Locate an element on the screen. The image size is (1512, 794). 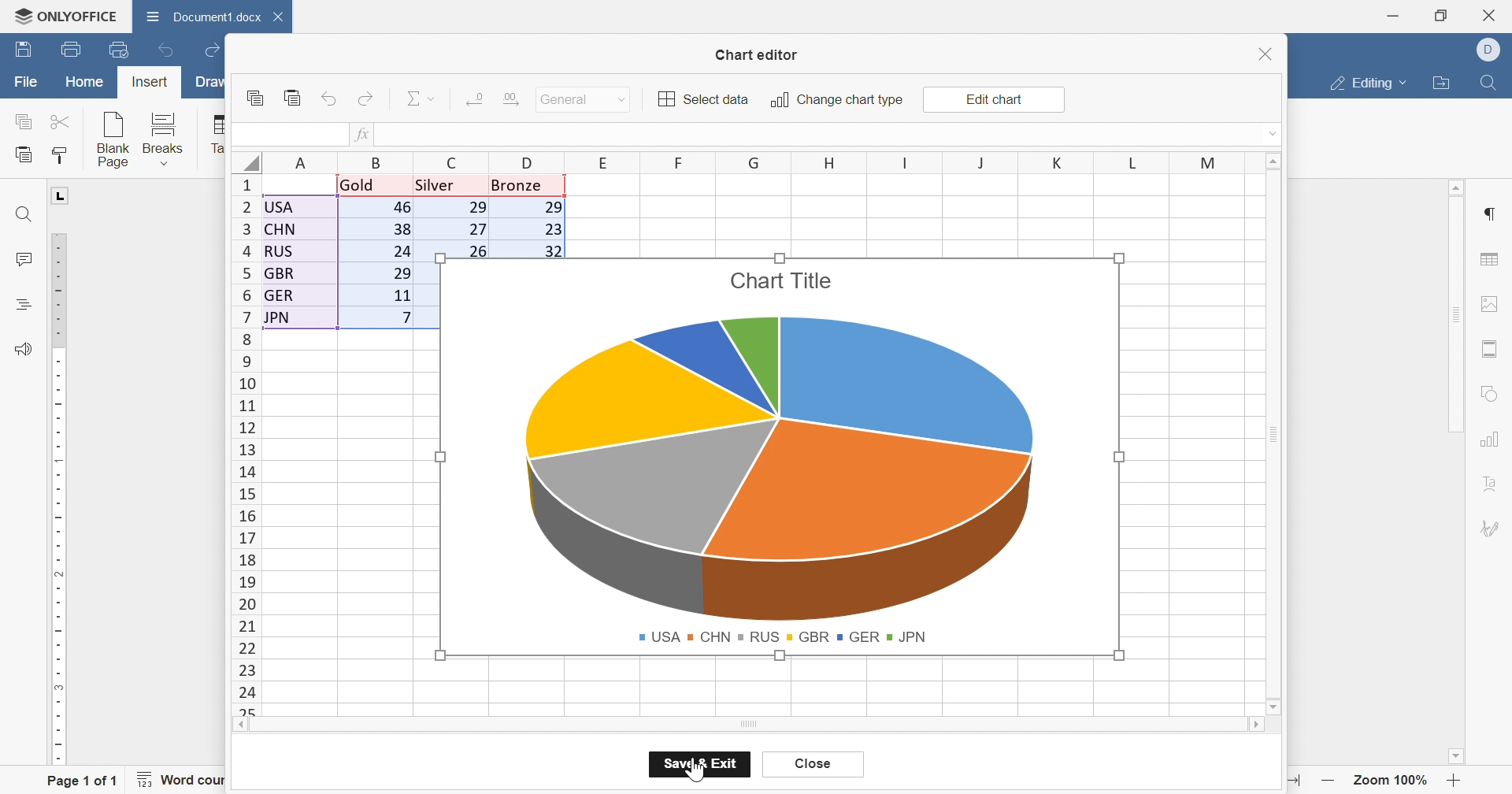
Image settings is located at coordinates (1492, 302).